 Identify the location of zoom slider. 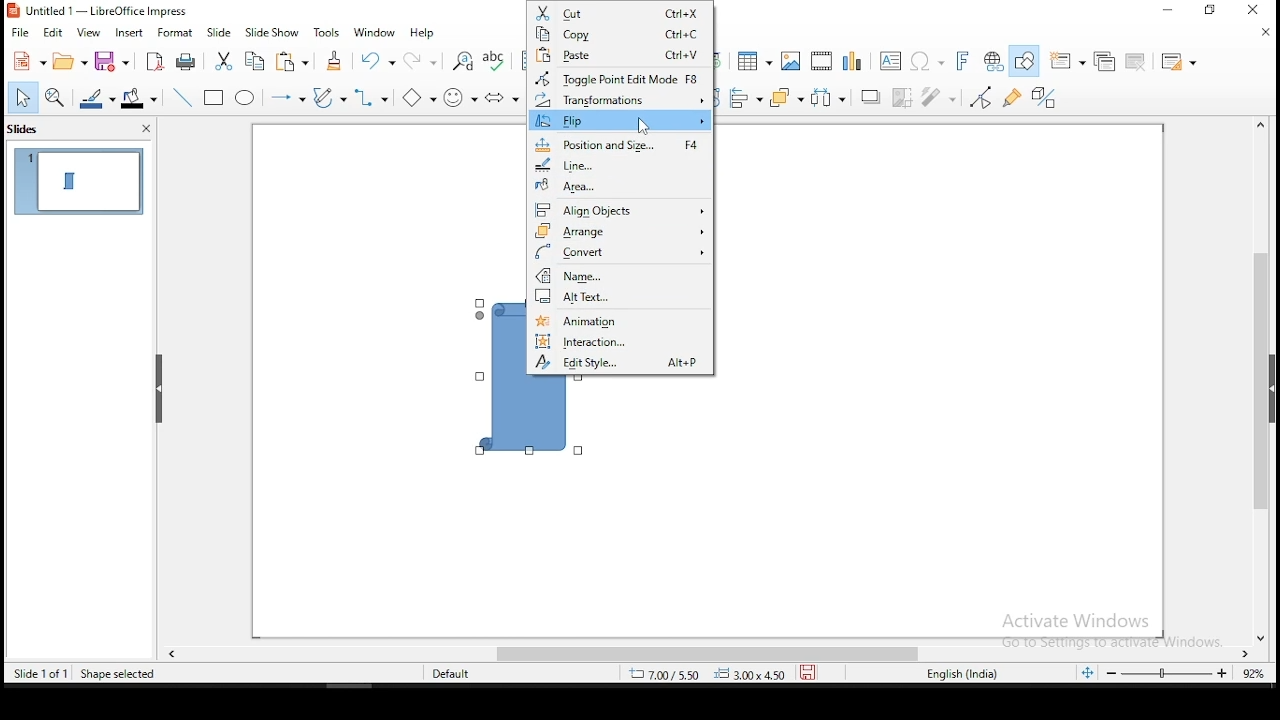
(1169, 676).